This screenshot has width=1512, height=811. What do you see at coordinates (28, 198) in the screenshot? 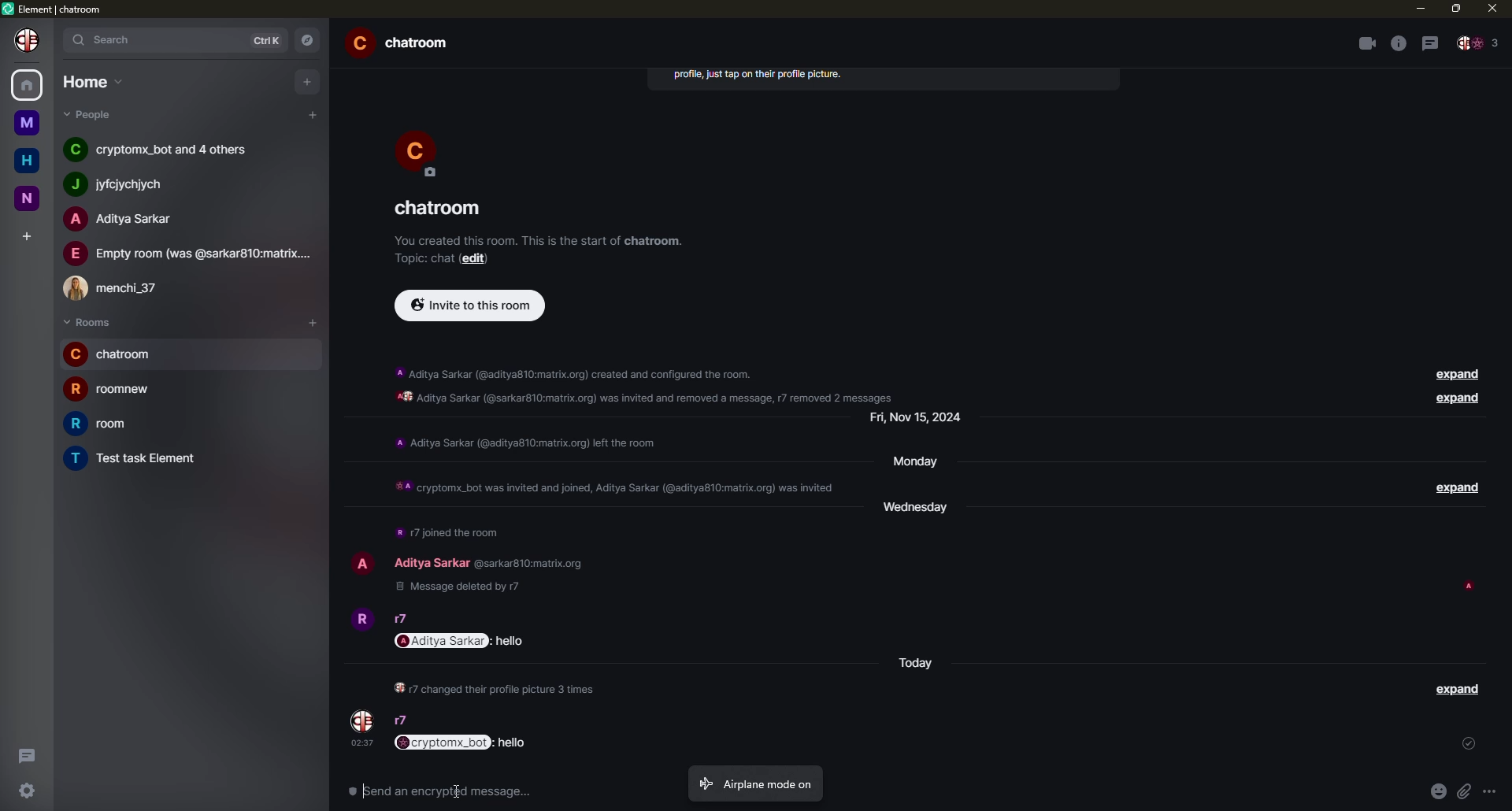
I see `n` at bounding box center [28, 198].